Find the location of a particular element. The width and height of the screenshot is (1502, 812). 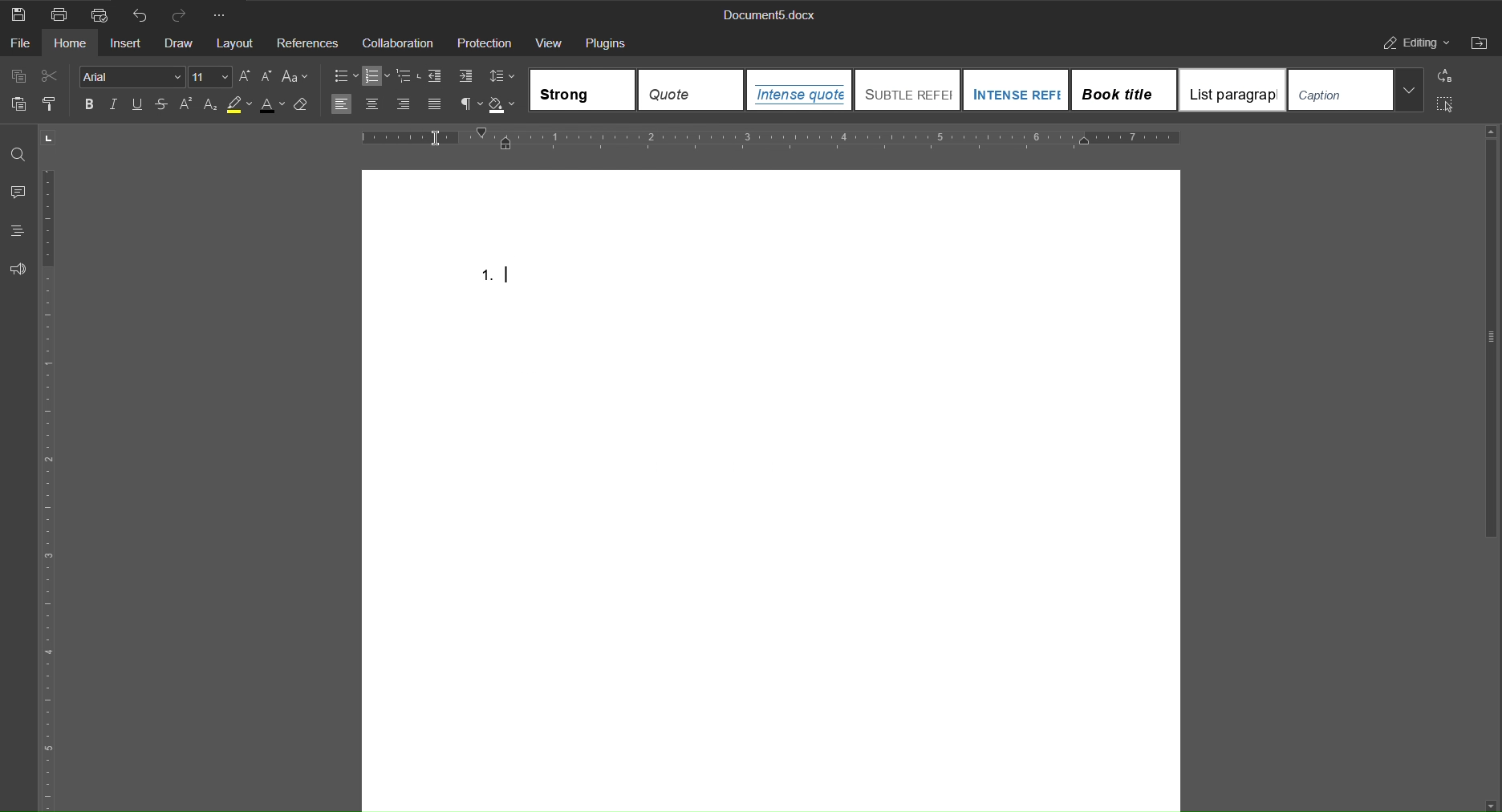

Shadow is located at coordinates (503, 104).